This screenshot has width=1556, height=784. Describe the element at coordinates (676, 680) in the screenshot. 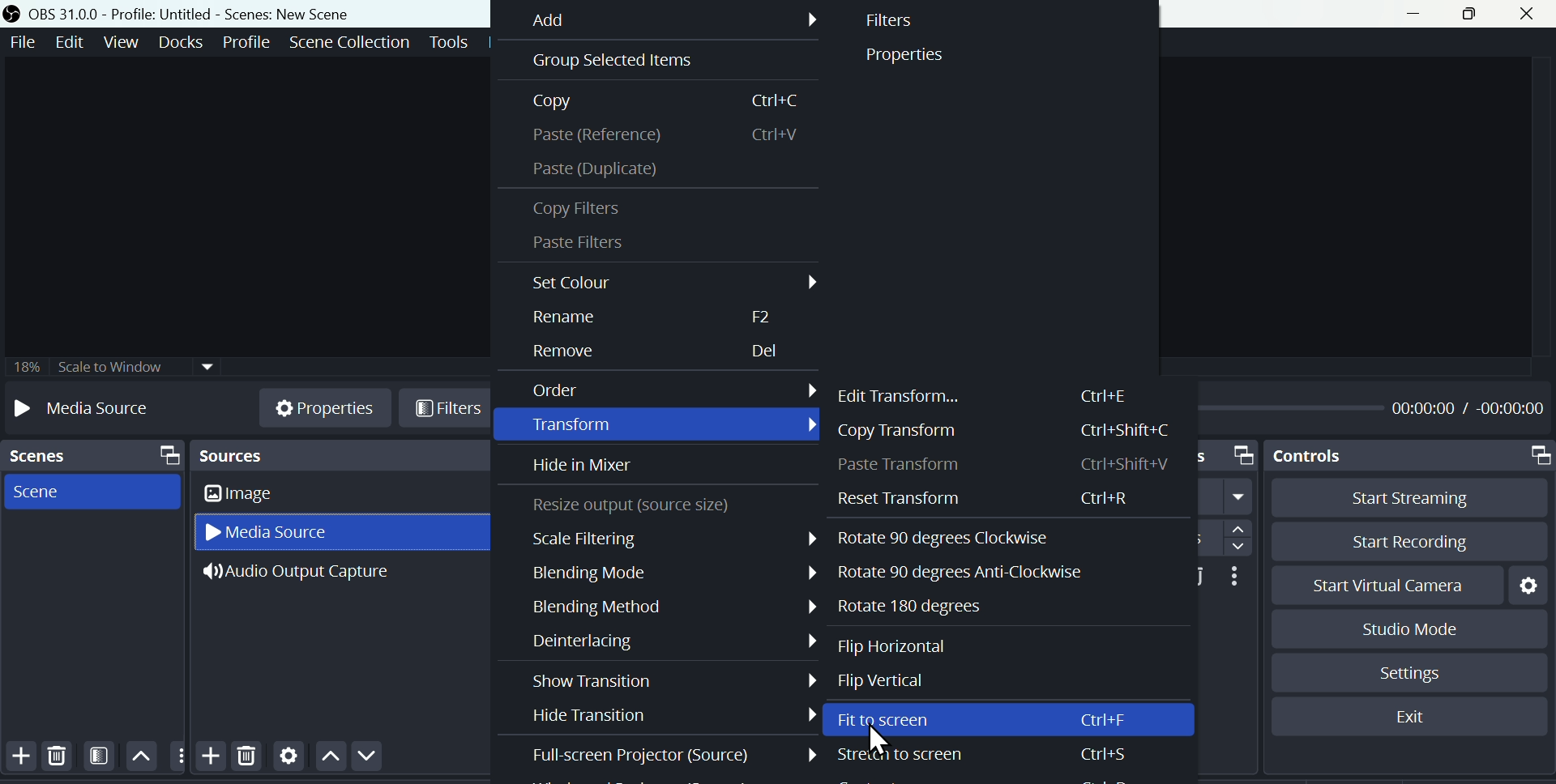

I see `Show transition` at that location.